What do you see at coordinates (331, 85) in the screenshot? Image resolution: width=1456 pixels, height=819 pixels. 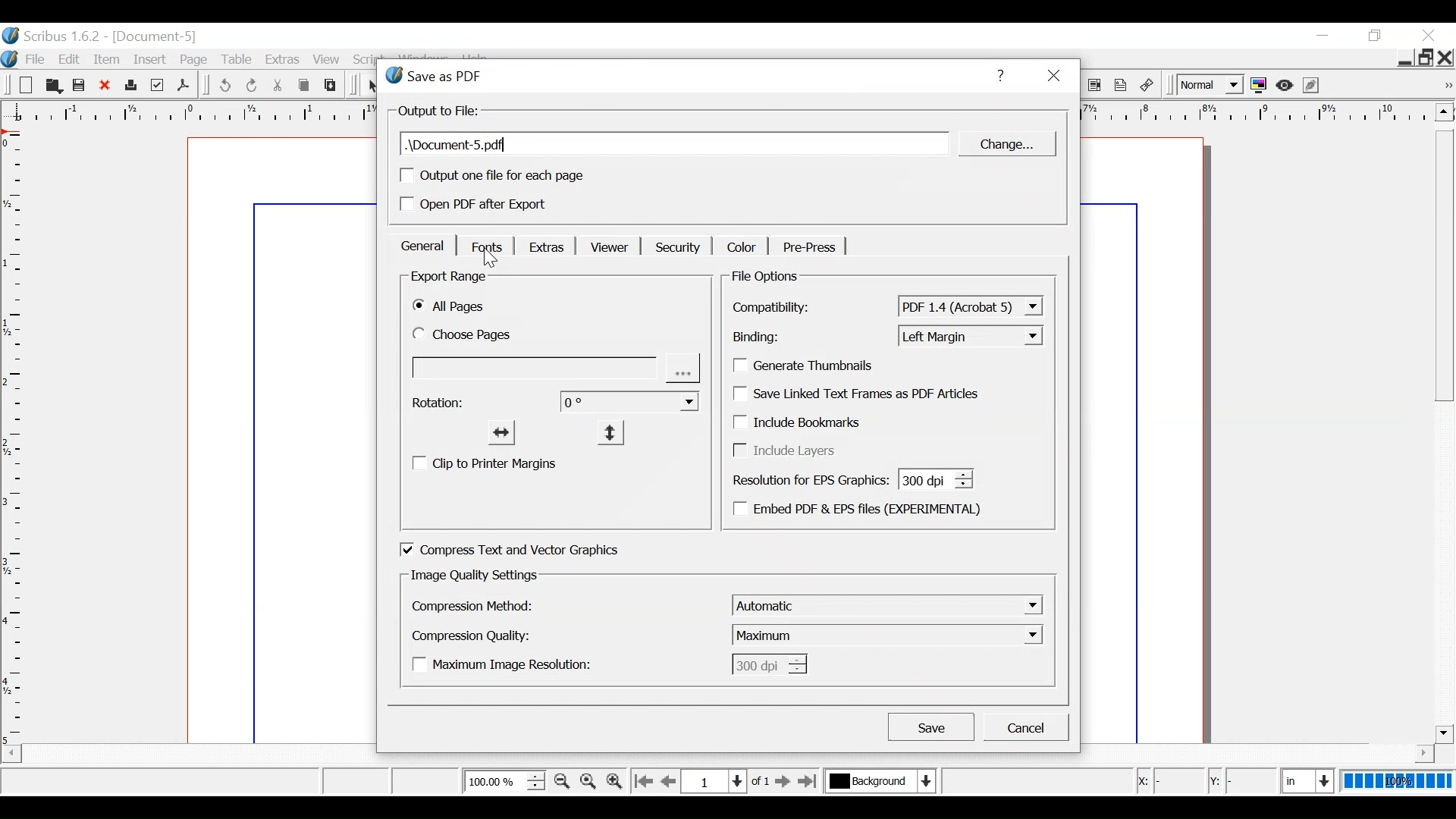 I see `Paste` at bounding box center [331, 85].